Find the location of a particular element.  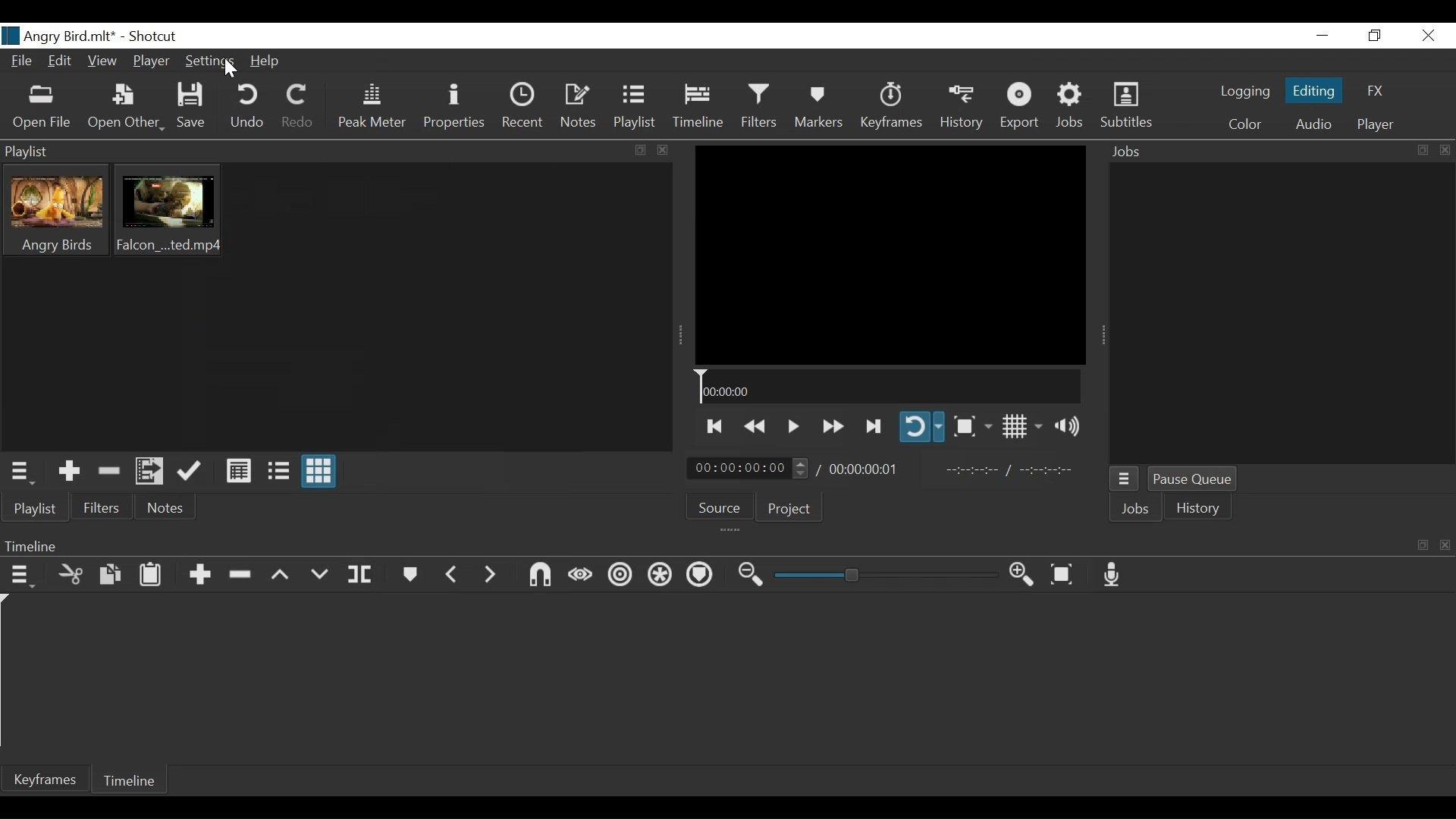

Media Viewer is located at coordinates (891, 254).